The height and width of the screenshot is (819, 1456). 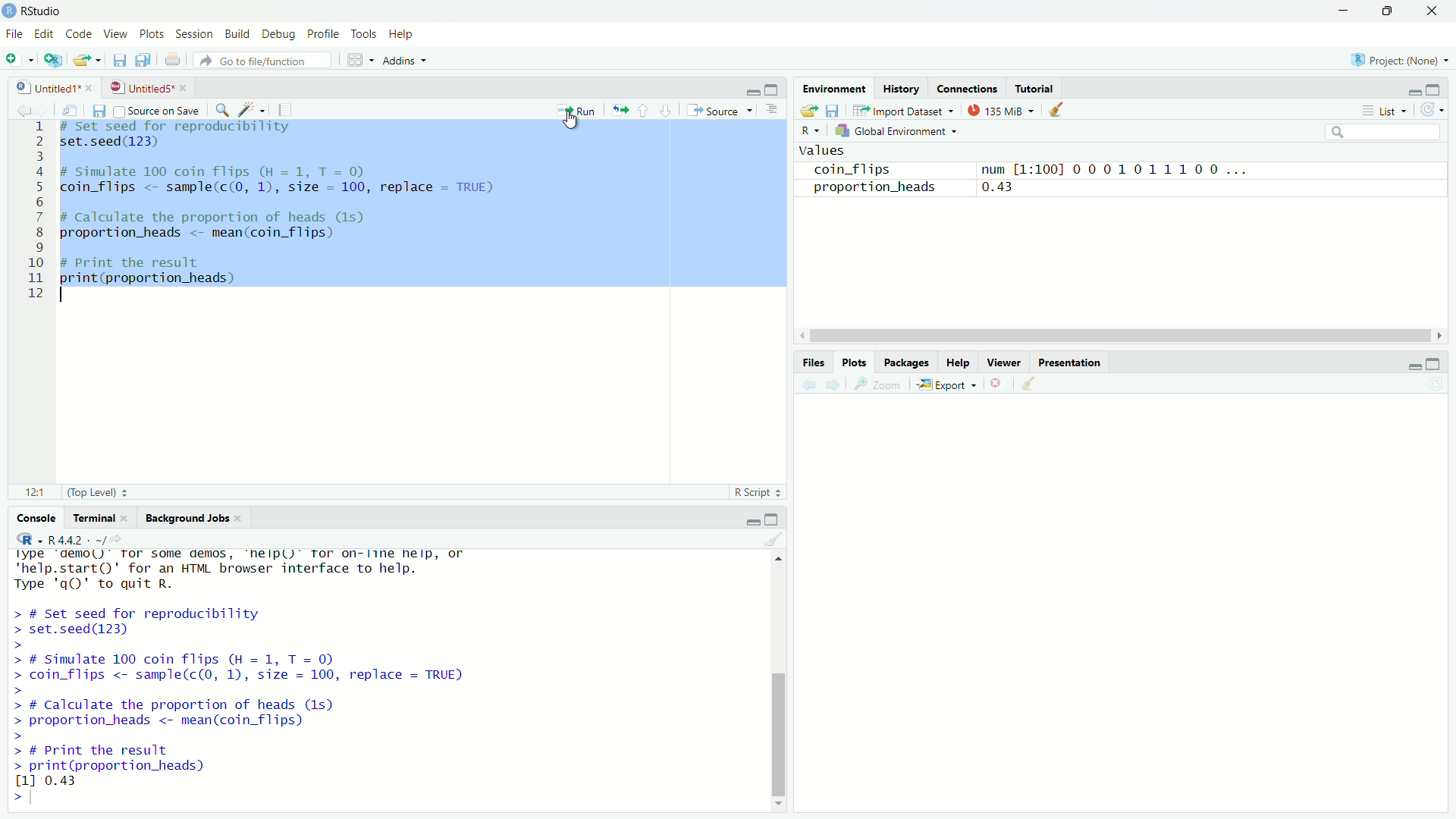 I want to click on R Script, so click(x=759, y=492).